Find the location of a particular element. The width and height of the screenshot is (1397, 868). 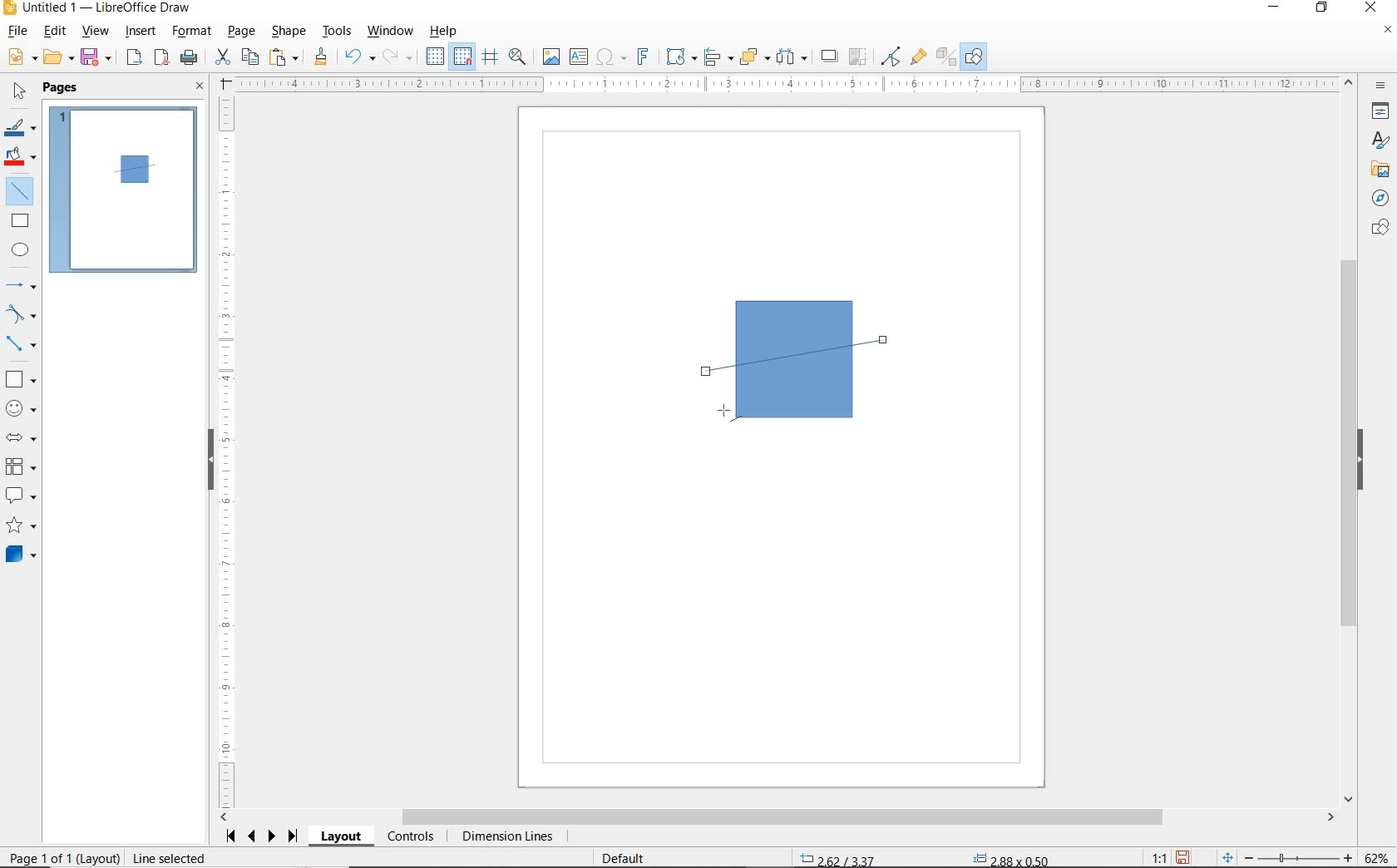

SAVE is located at coordinates (1182, 857).